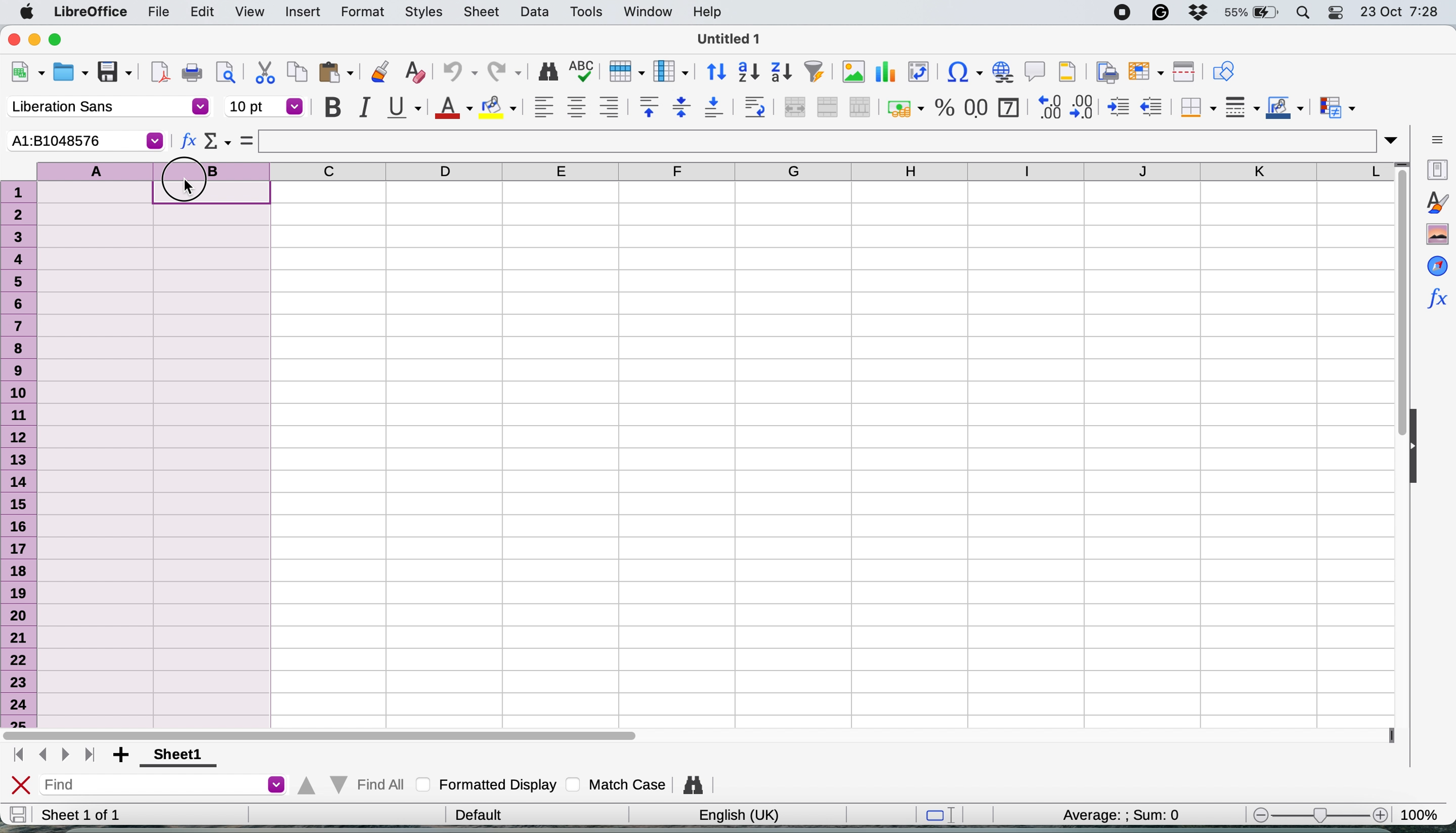 This screenshot has width=1456, height=833. I want to click on zoom factor, so click(1424, 811).